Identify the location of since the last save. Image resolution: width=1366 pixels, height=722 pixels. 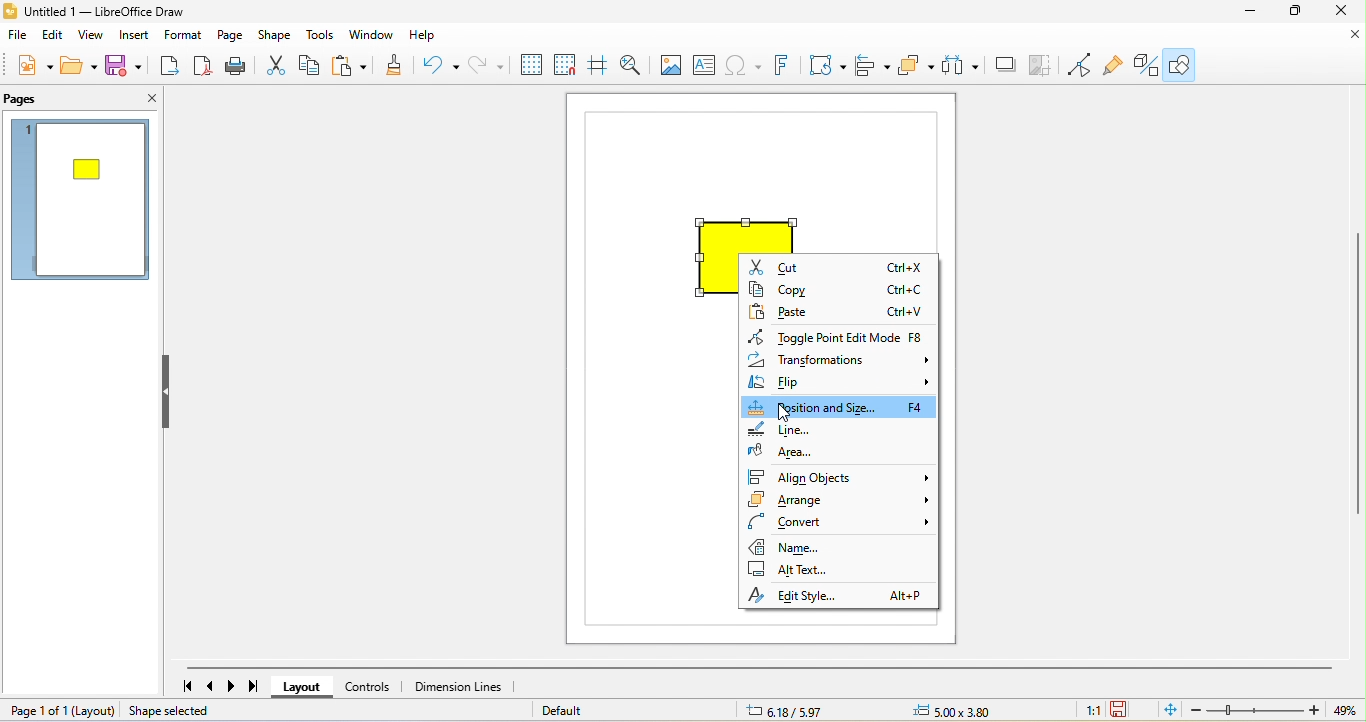
(1123, 710).